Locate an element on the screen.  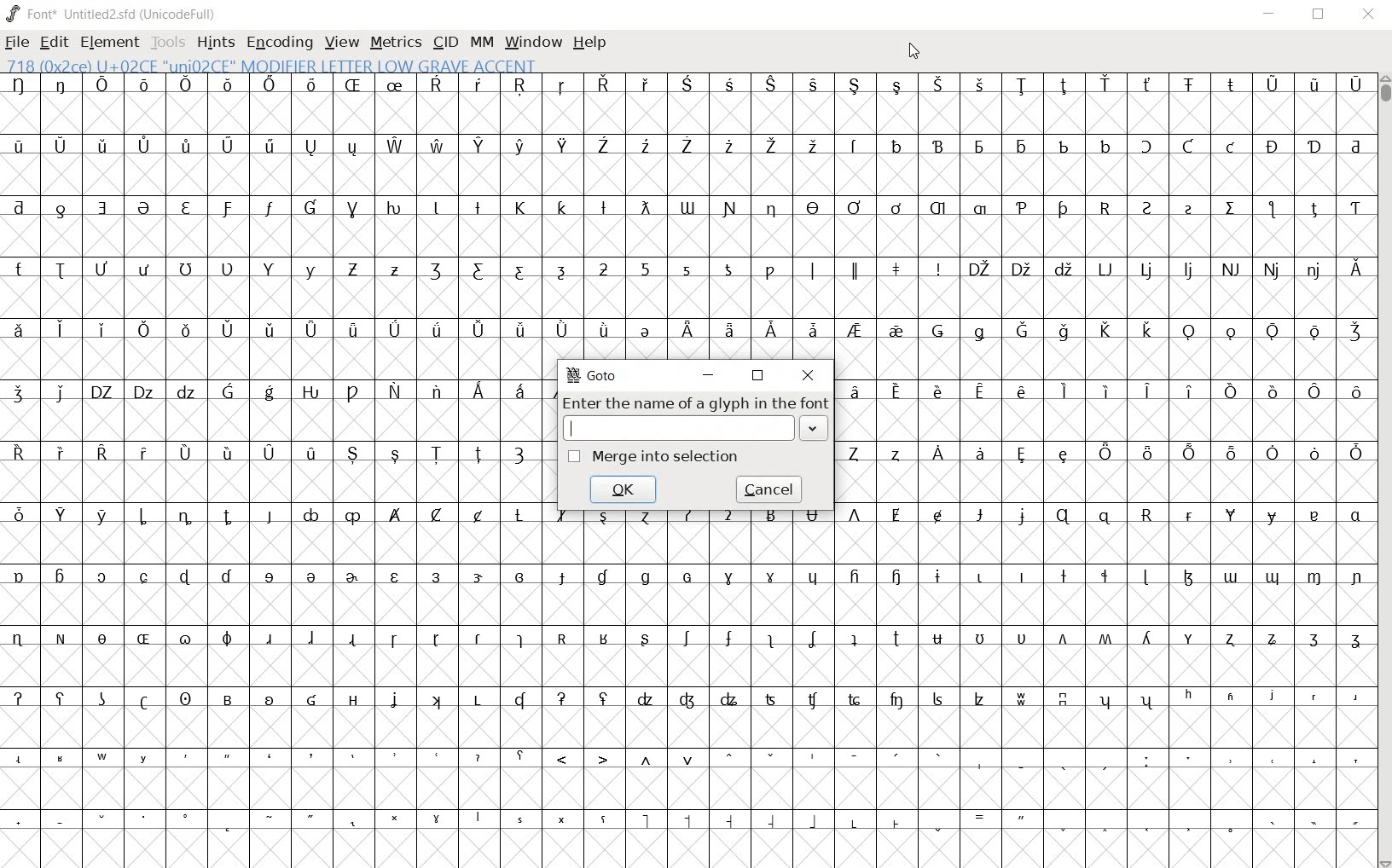
tools is located at coordinates (170, 44).